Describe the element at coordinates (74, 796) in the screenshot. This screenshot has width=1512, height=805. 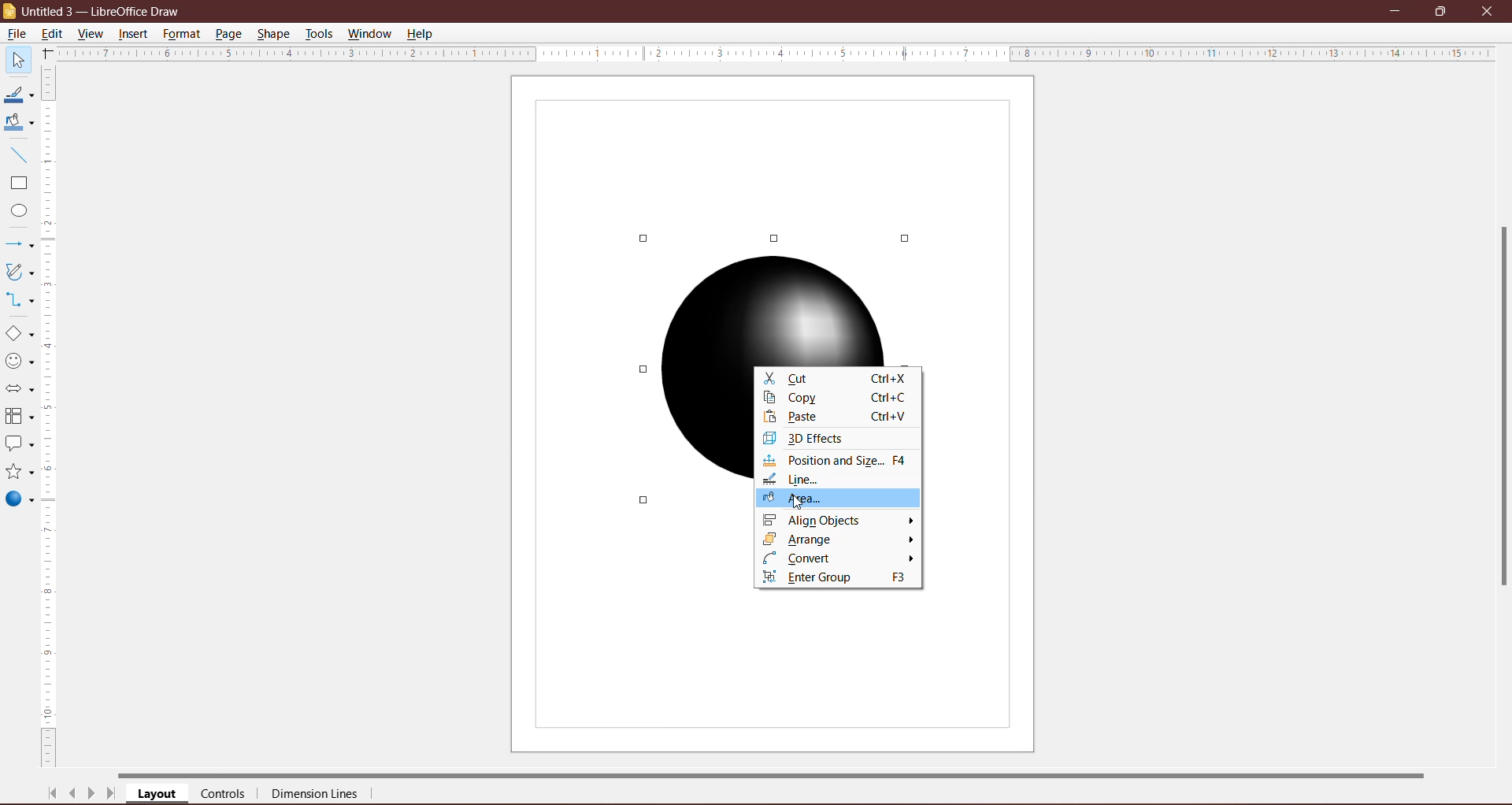
I see `Scroll to previous page` at that location.